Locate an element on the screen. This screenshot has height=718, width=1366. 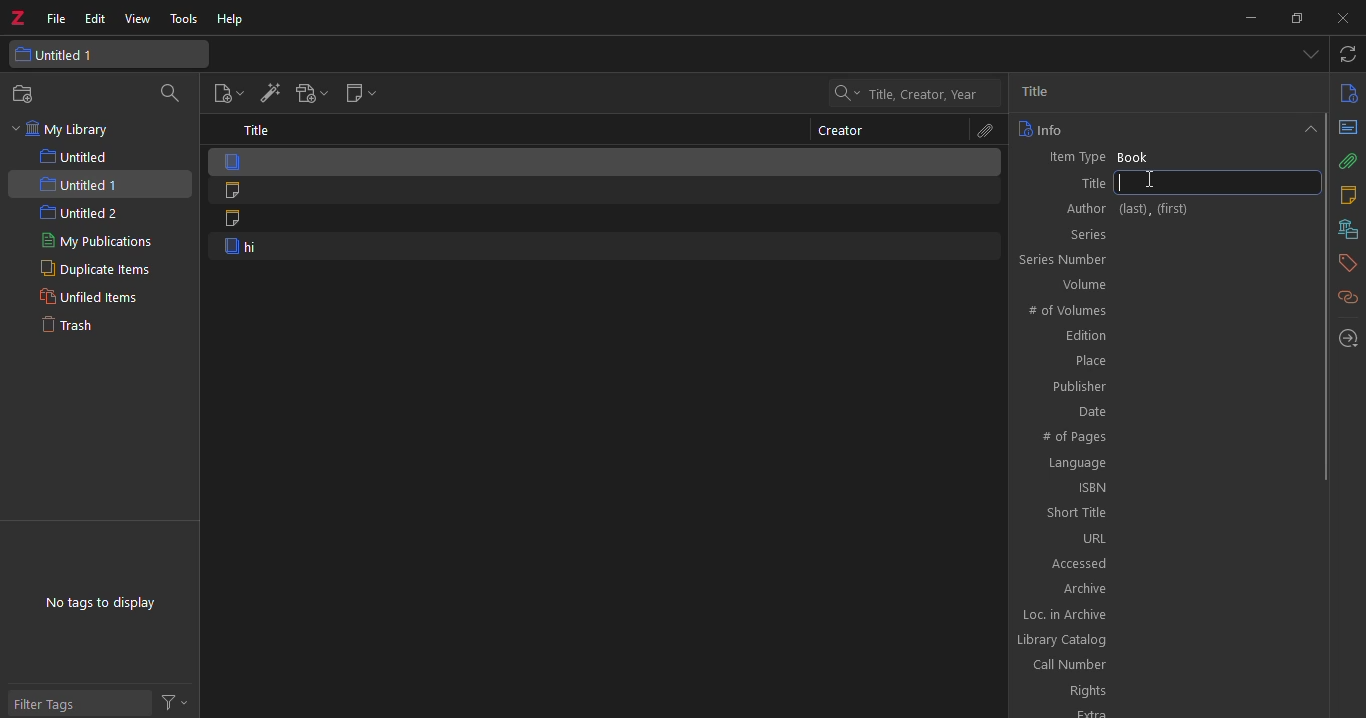
rights is located at coordinates (1166, 691).